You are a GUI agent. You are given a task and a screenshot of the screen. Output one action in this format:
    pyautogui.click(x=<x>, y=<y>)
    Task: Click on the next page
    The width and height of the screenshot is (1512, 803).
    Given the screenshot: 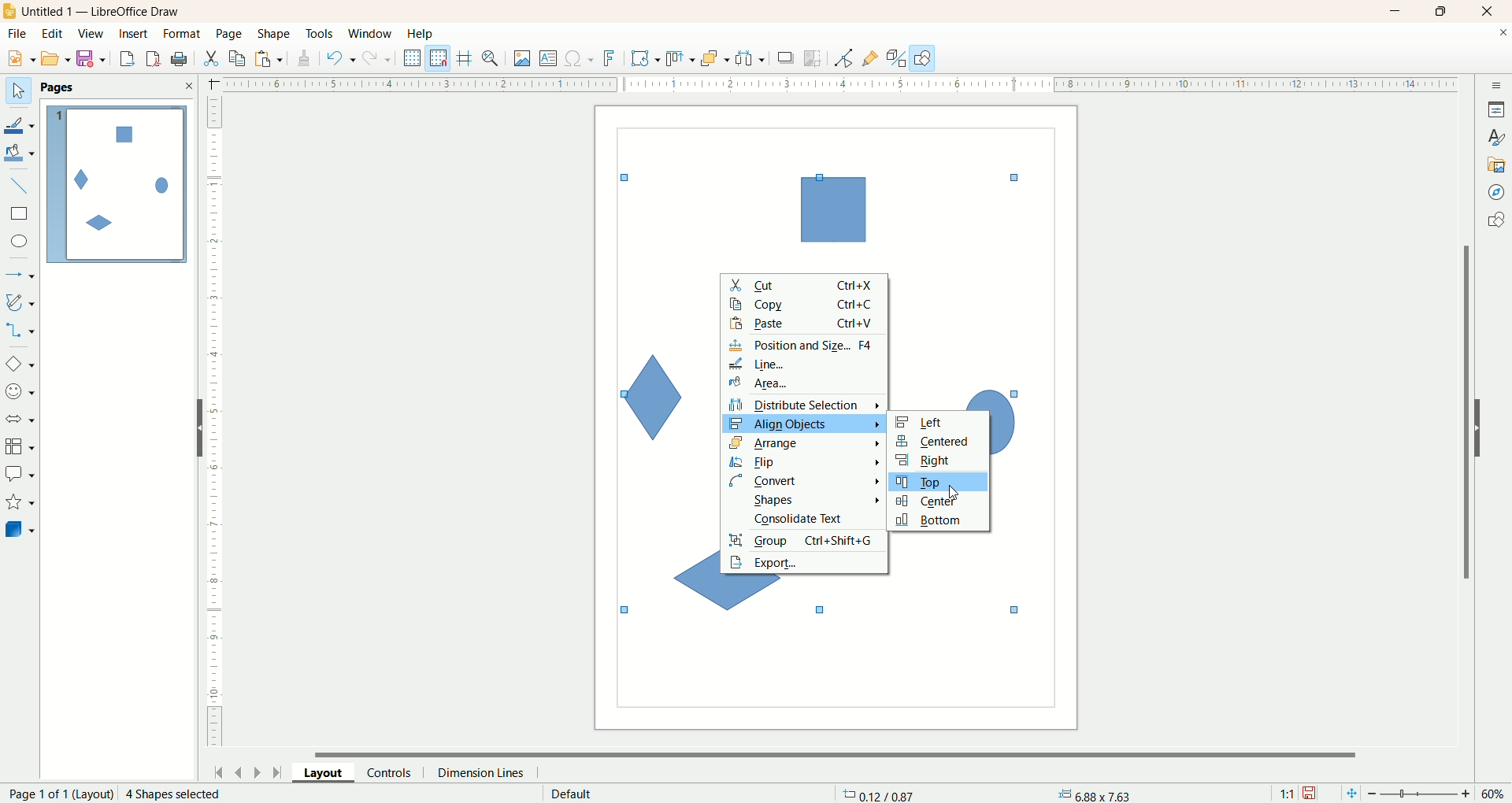 What is the action you would take?
    pyautogui.click(x=258, y=772)
    